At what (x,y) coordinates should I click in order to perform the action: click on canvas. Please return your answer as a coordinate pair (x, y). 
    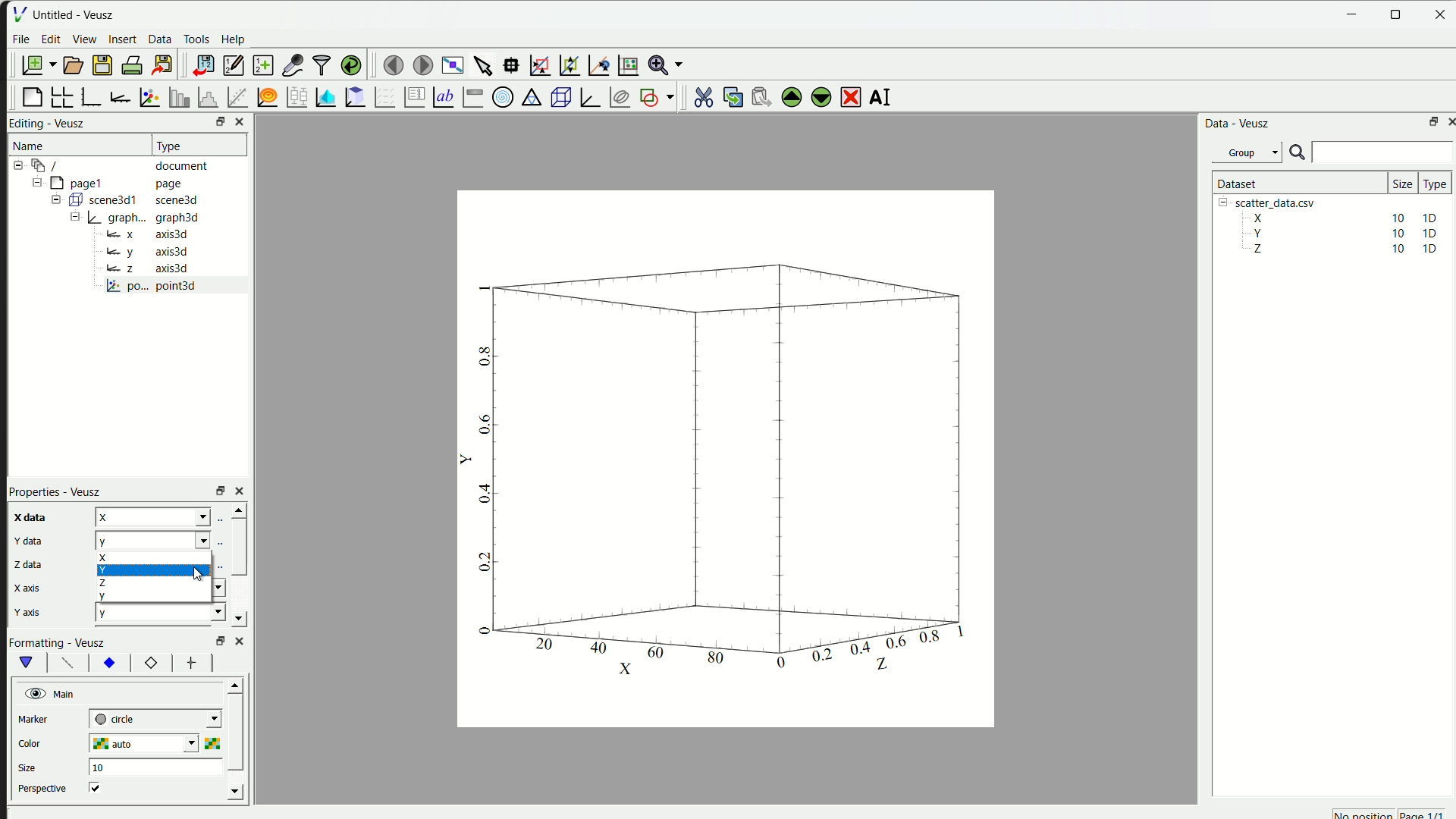
    Looking at the image, I should click on (723, 461).